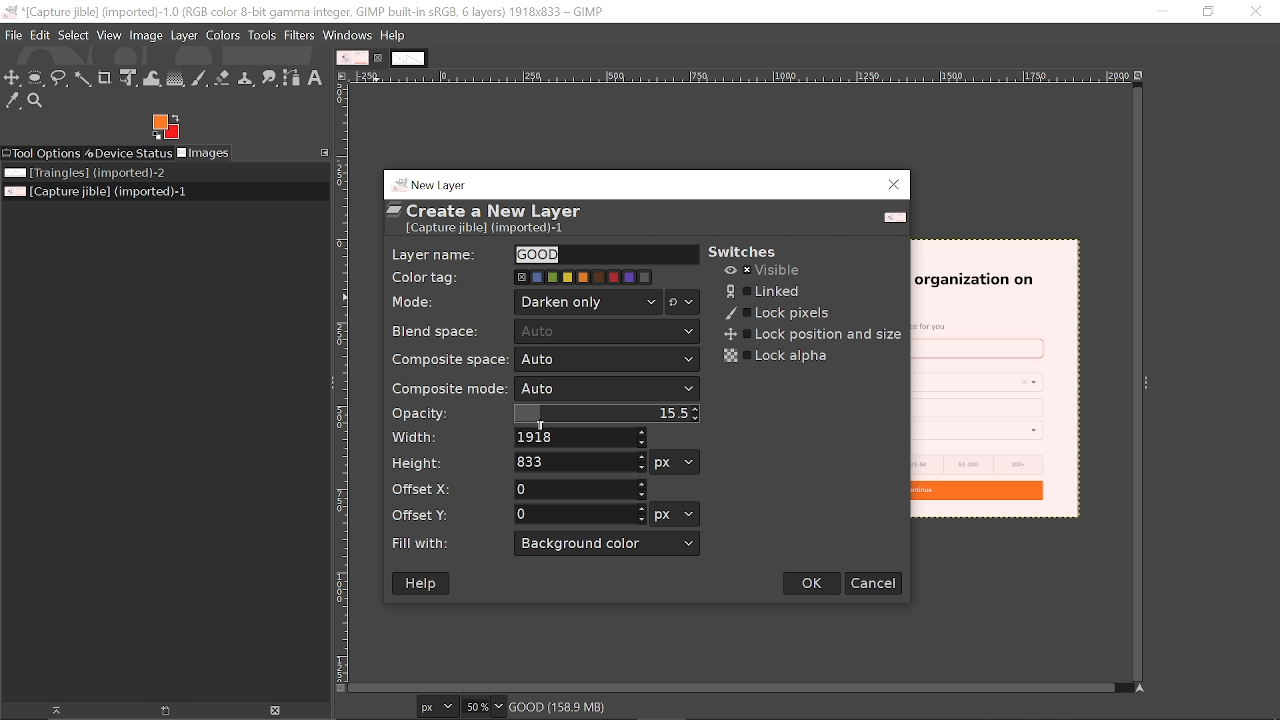 The height and width of the screenshot is (720, 1280). Describe the element at coordinates (764, 271) in the screenshot. I see `Visible` at that location.